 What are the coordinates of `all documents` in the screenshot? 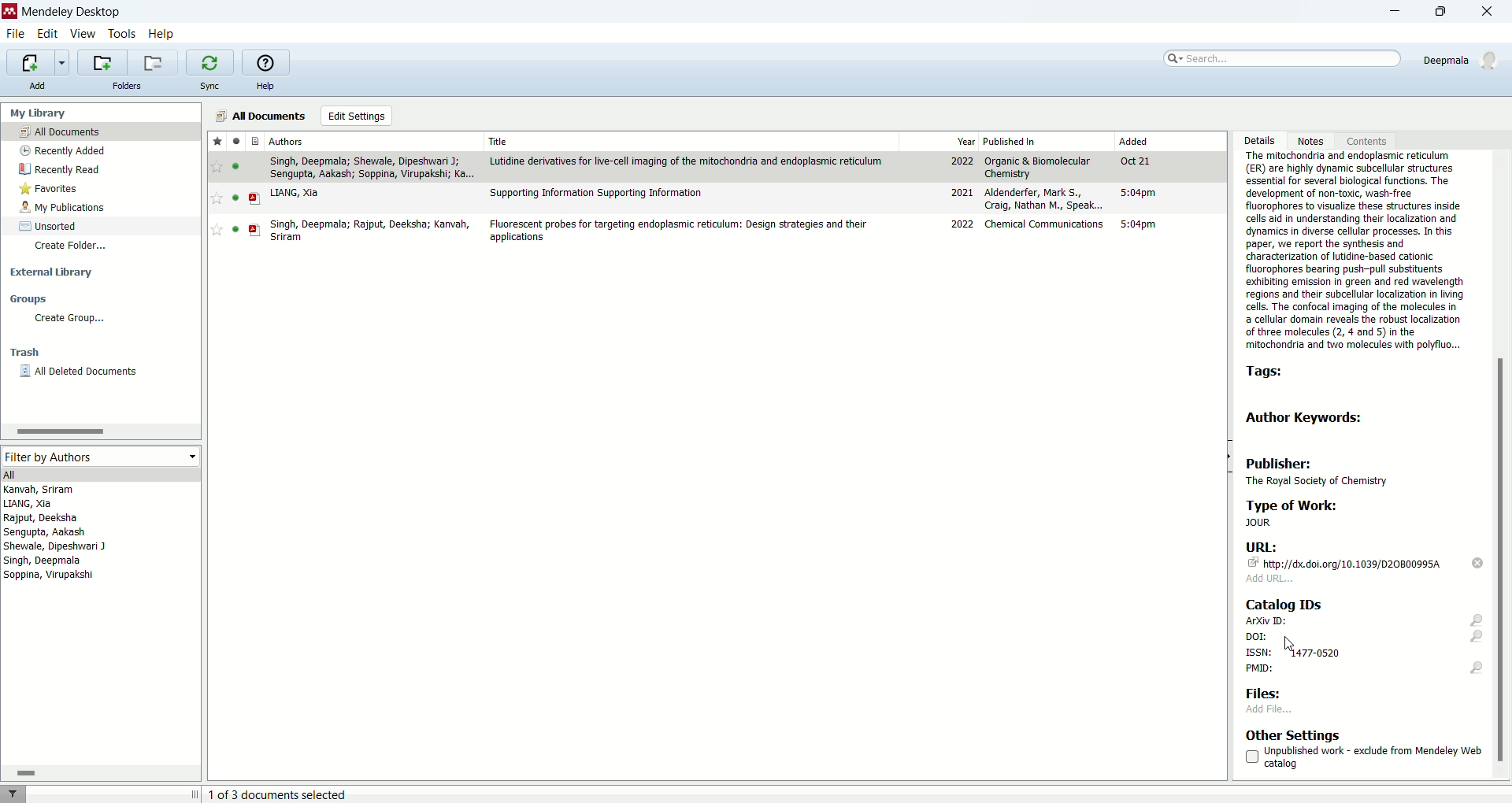 It's located at (101, 131).